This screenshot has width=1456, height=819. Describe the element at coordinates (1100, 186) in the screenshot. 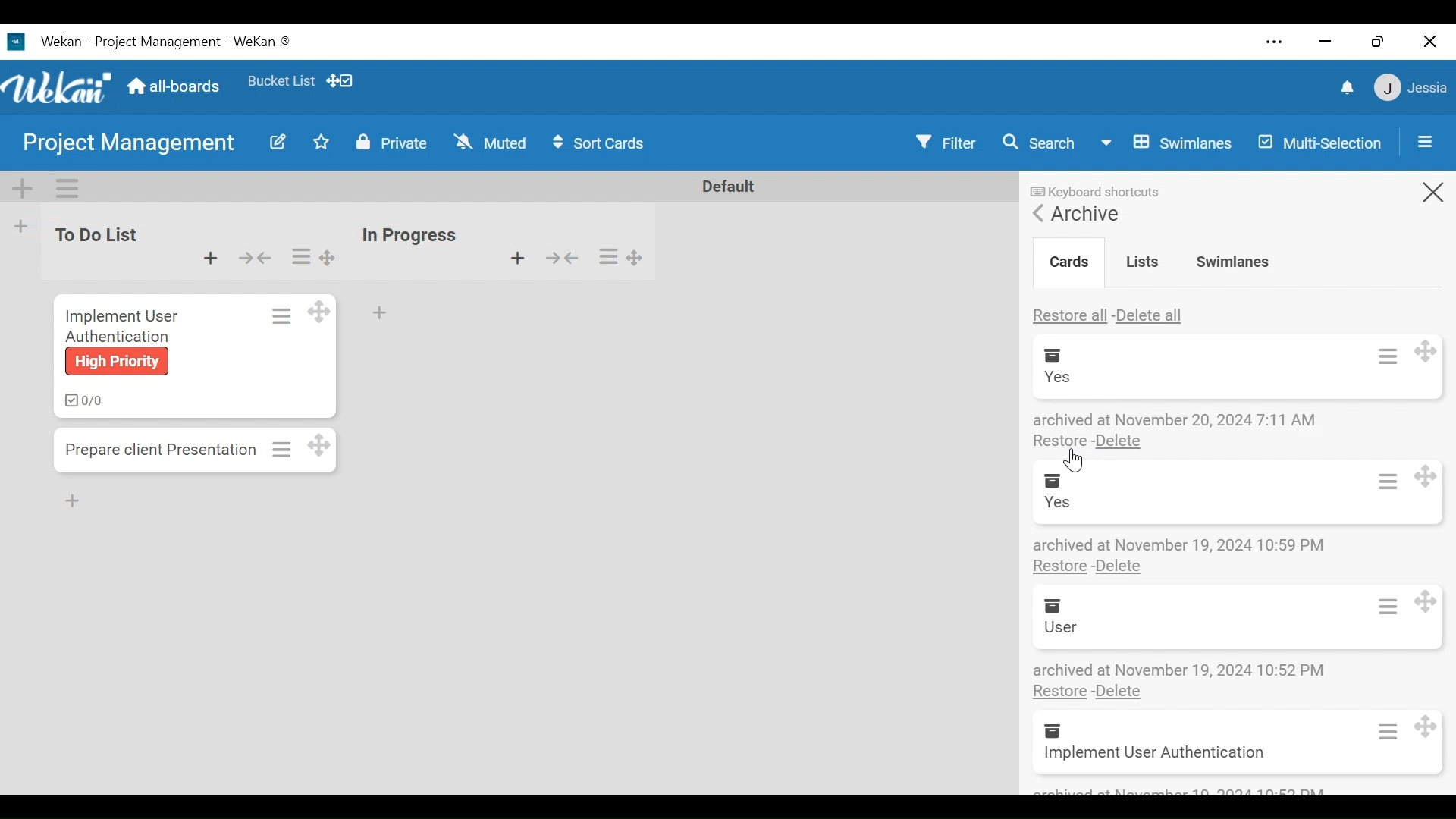

I see `keyboard shortcuts` at that location.